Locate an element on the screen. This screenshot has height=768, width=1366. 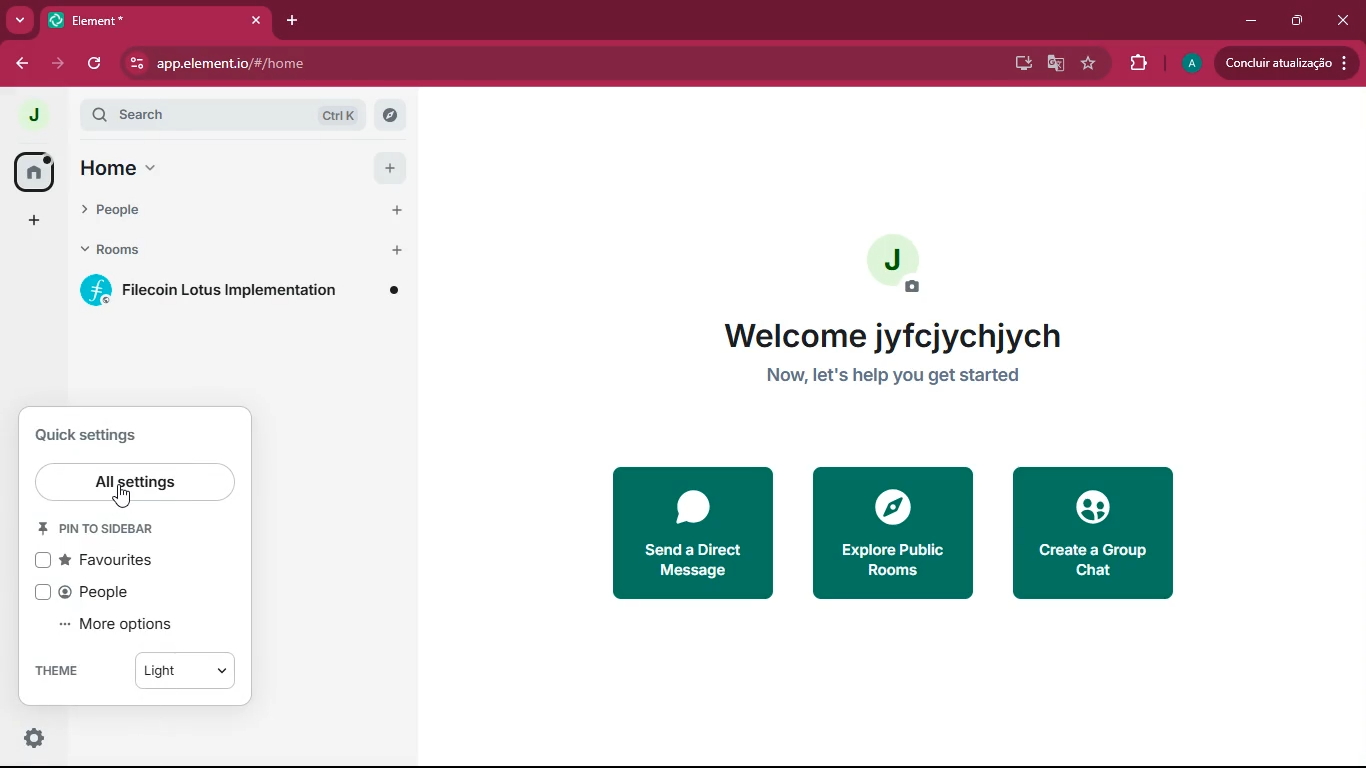
room is located at coordinates (243, 290).